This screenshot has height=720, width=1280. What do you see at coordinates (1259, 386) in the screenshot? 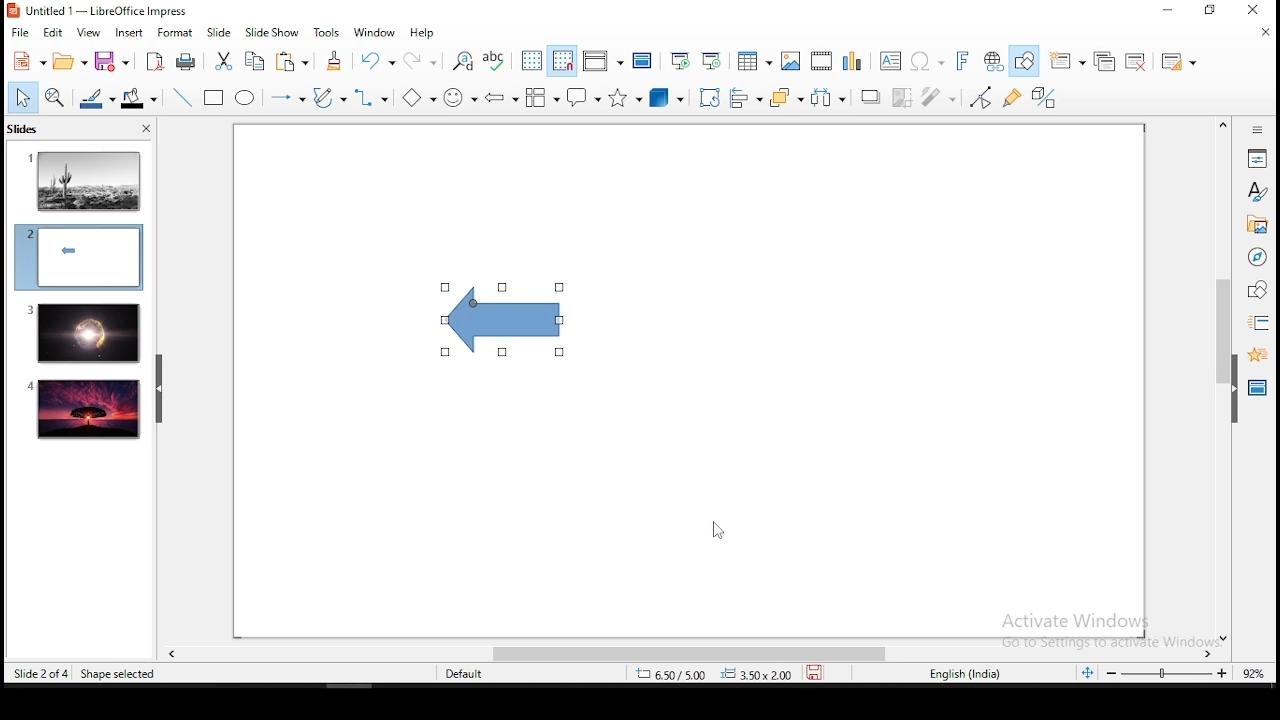
I see `master slides` at bounding box center [1259, 386].